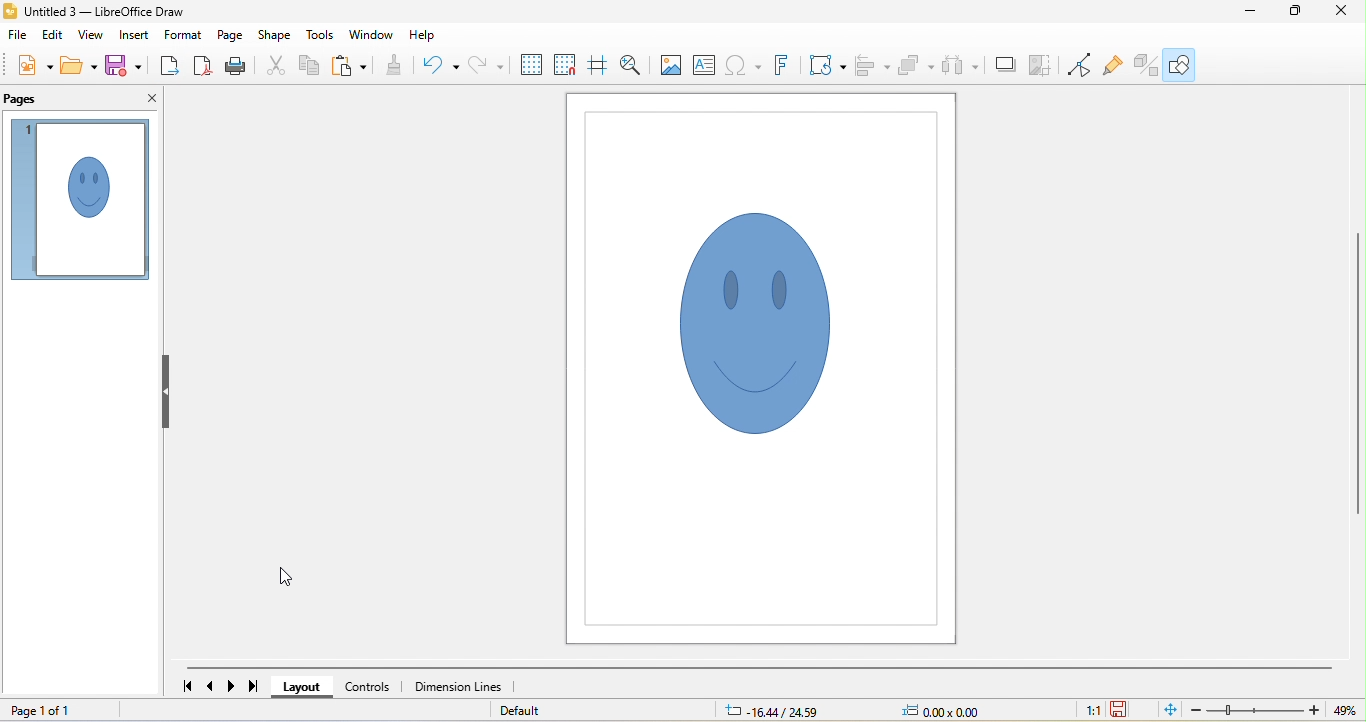  What do you see at coordinates (351, 64) in the screenshot?
I see `paste` at bounding box center [351, 64].